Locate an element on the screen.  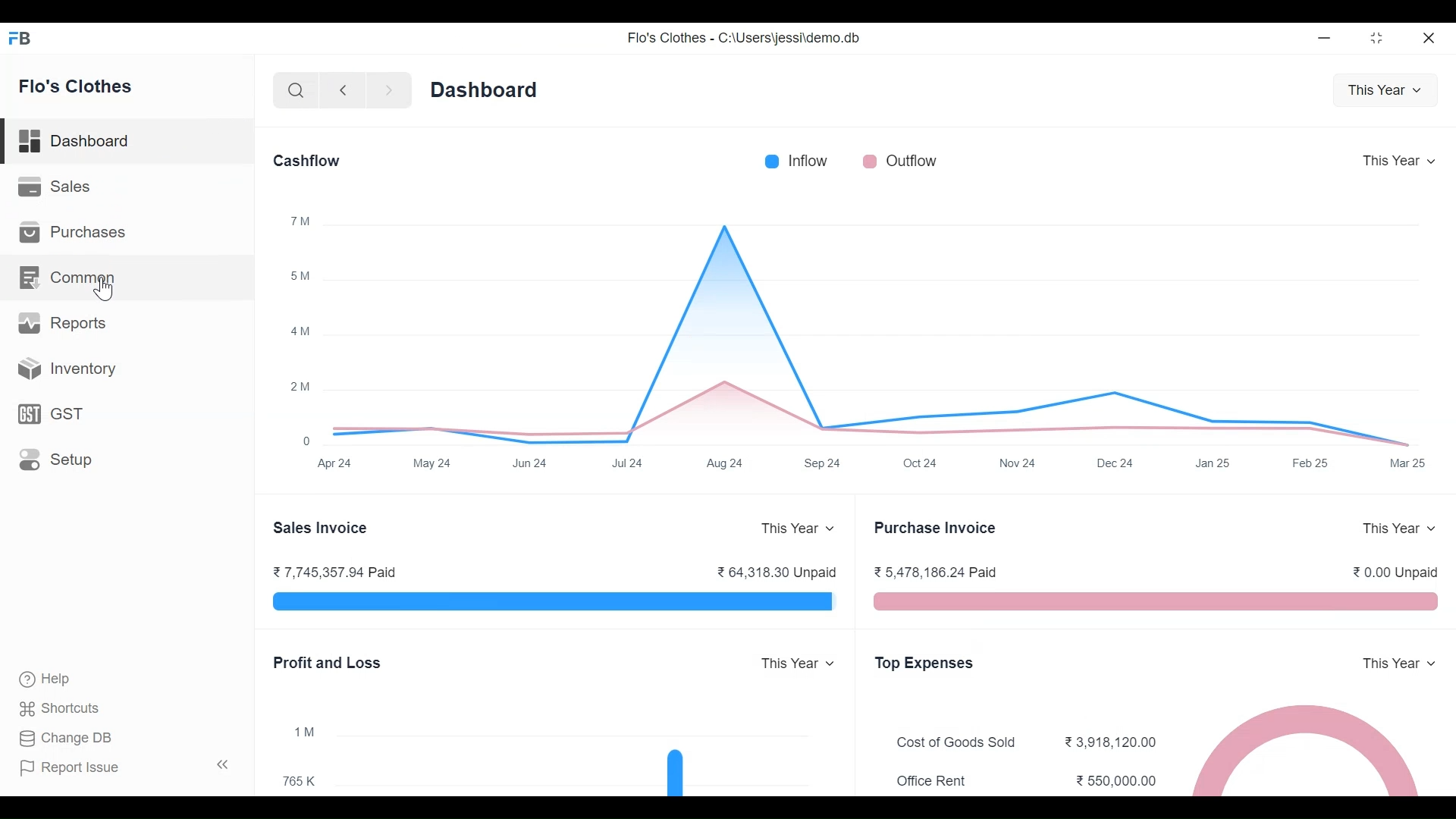
0.00 Unpaid is located at coordinates (1398, 571).